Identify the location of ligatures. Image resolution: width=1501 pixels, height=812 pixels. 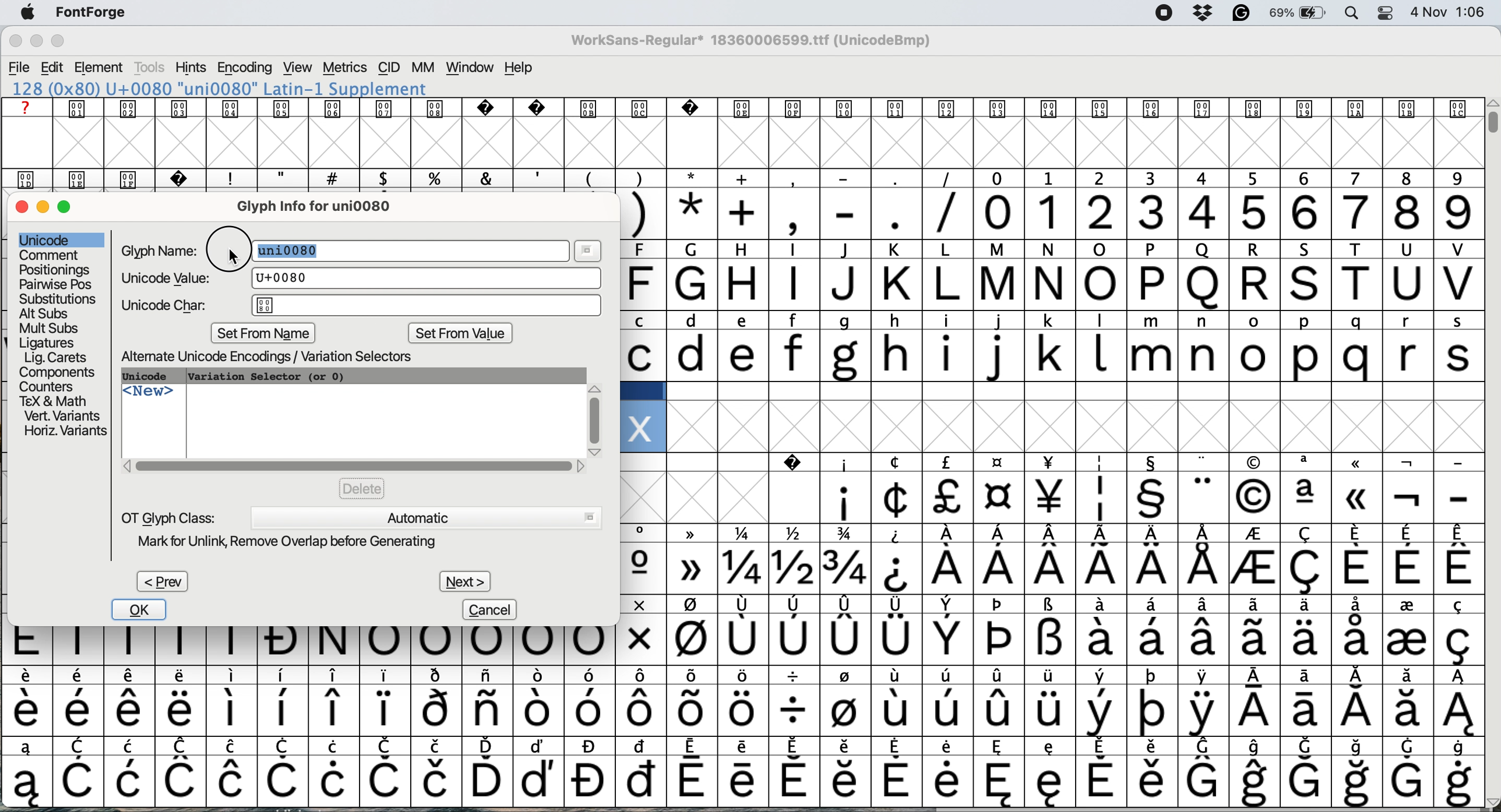
(50, 341).